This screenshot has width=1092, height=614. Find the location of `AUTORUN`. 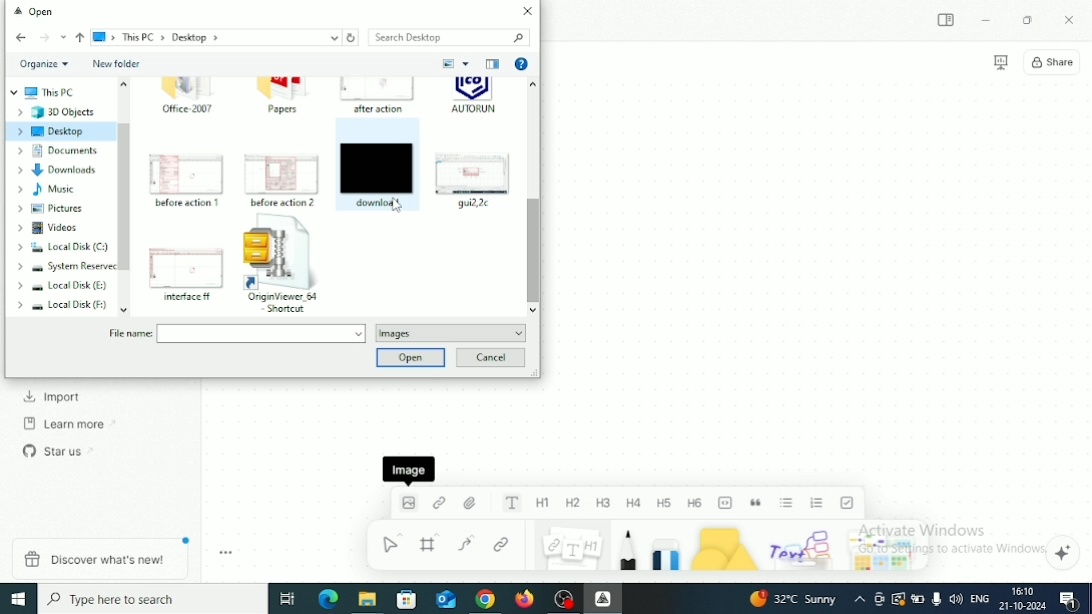

AUTORUN is located at coordinates (474, 99).